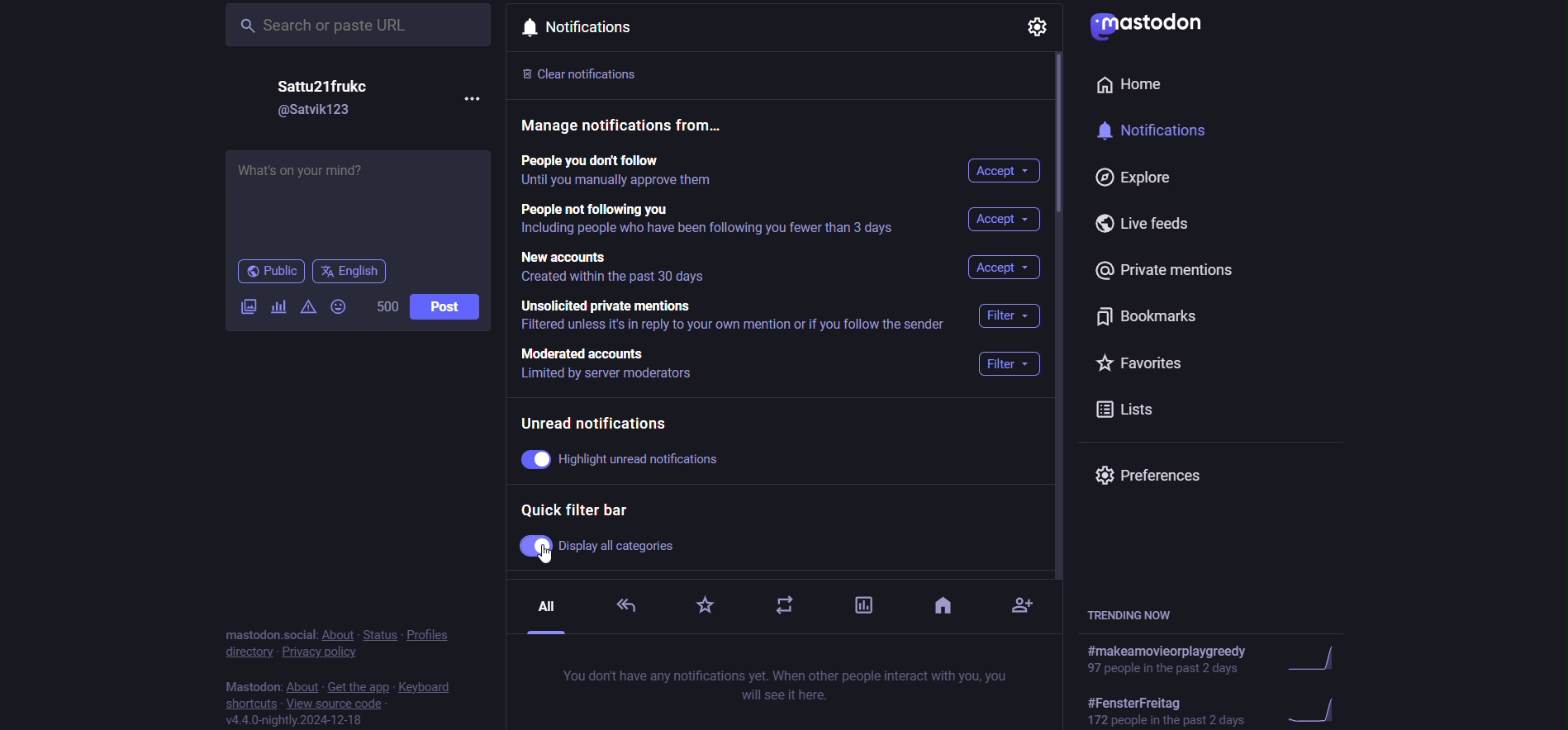 This screenshot has width=1568, height=730. What do you see at coordinates (247, 703) in the screenshot?
I see `shortcut` at bounding box center [247, 703].